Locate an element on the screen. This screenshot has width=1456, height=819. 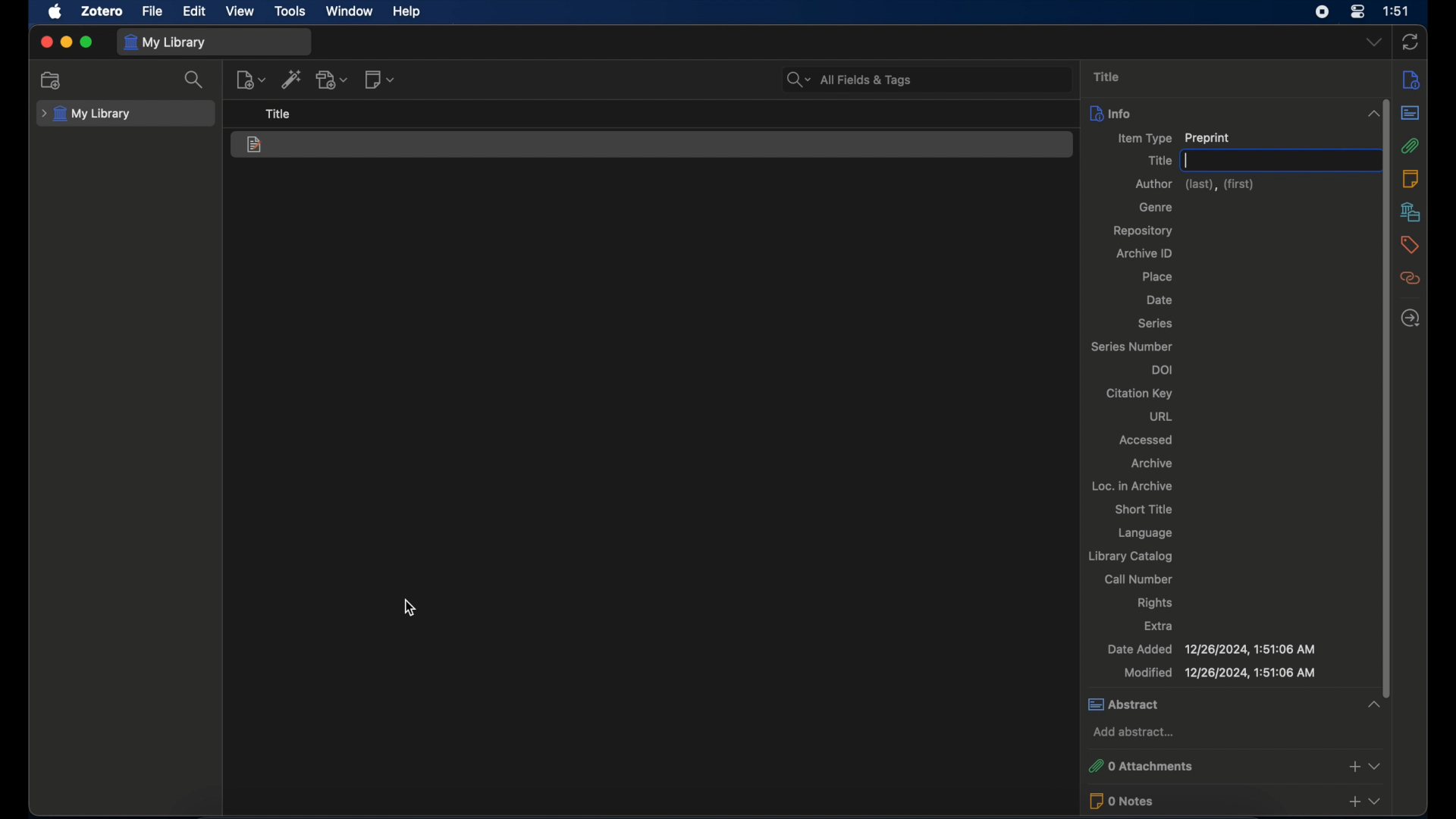
oc. in archive is located at coordinates (1130, 485).